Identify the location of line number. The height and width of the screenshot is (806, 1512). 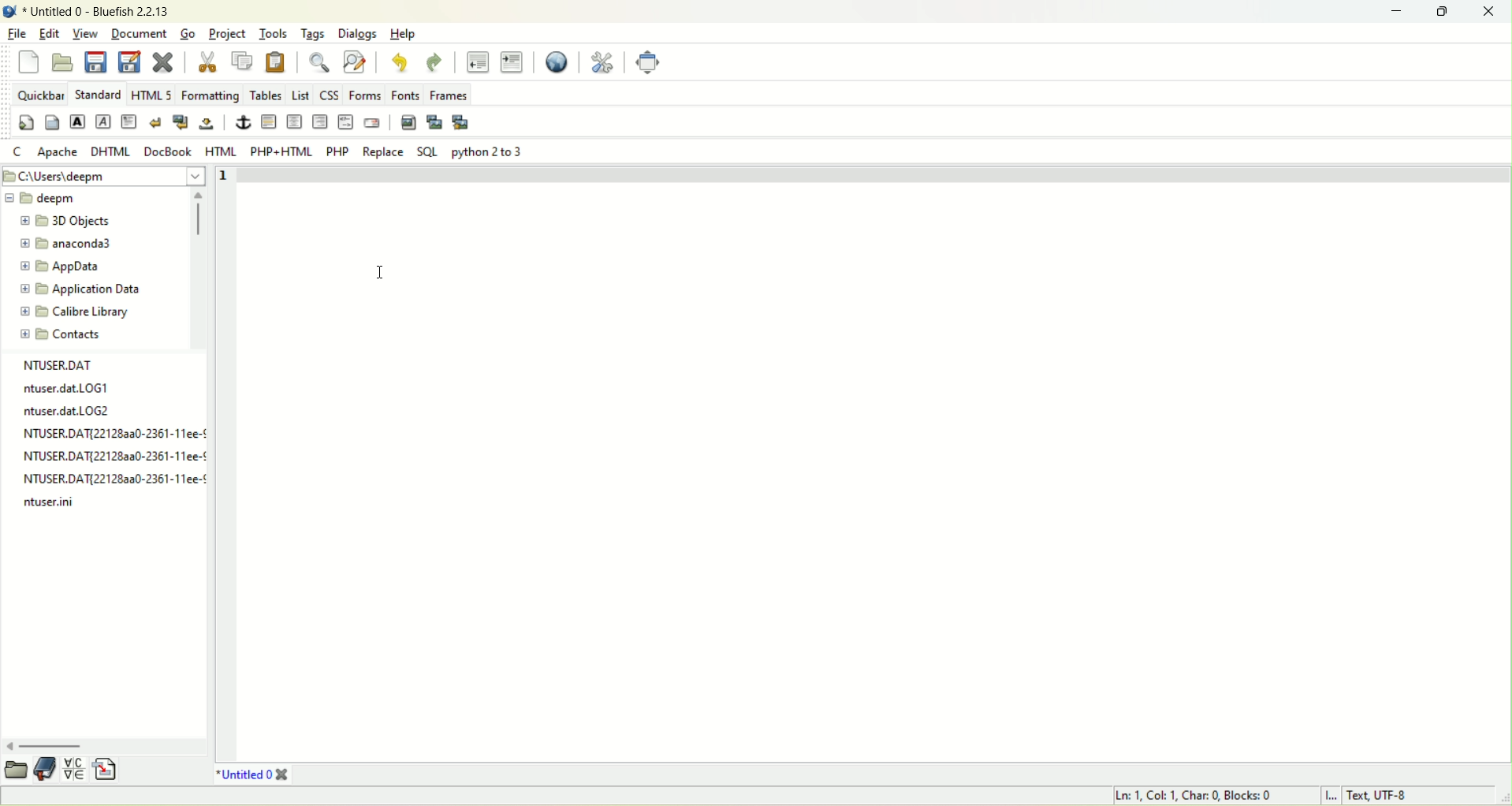
(222, 180).